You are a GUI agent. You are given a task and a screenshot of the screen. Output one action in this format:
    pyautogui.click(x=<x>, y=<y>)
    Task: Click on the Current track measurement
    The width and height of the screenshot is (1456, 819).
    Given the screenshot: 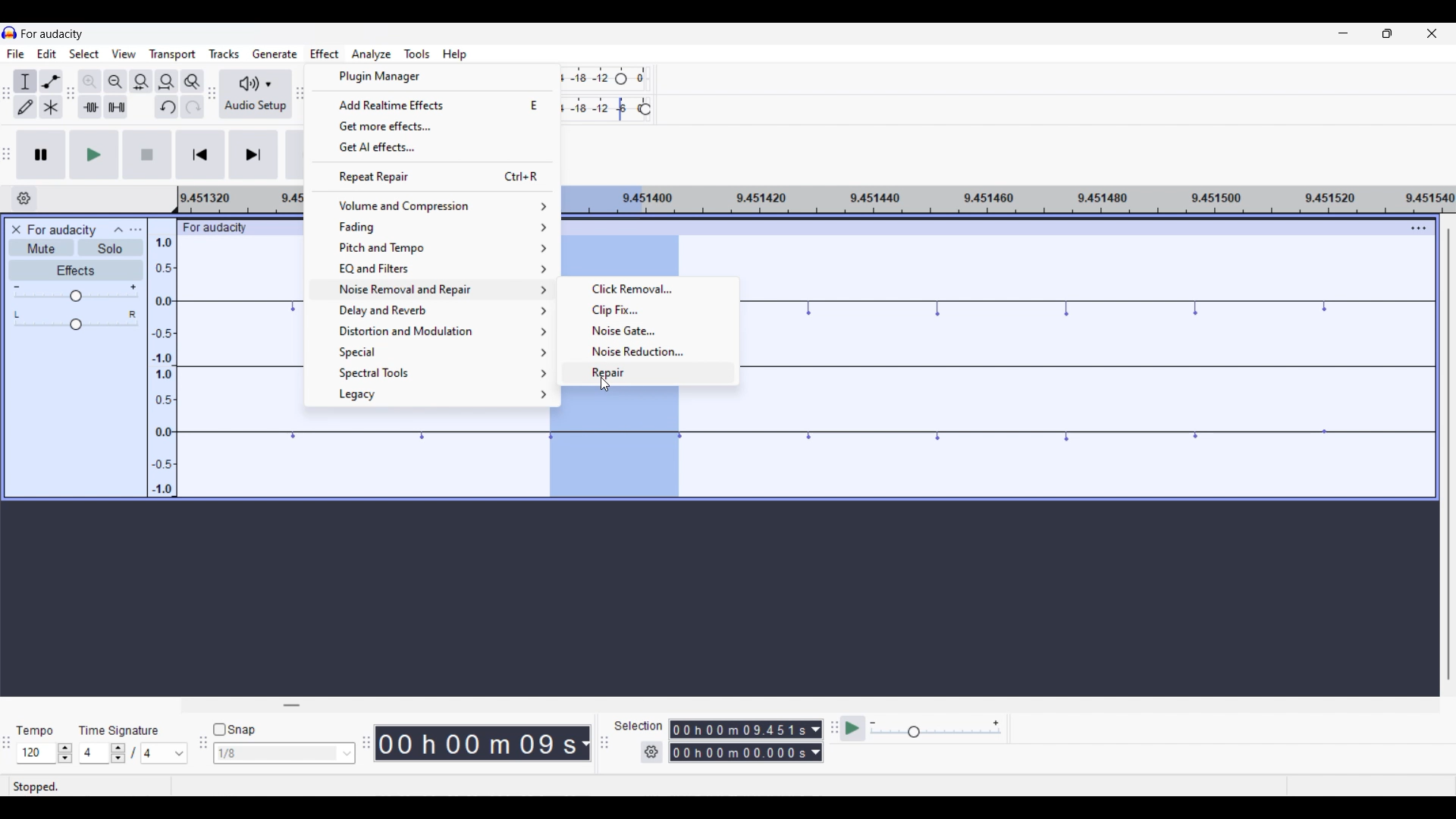 What is the action you would take?
    pyautogui.click(x=585, y=743)
    